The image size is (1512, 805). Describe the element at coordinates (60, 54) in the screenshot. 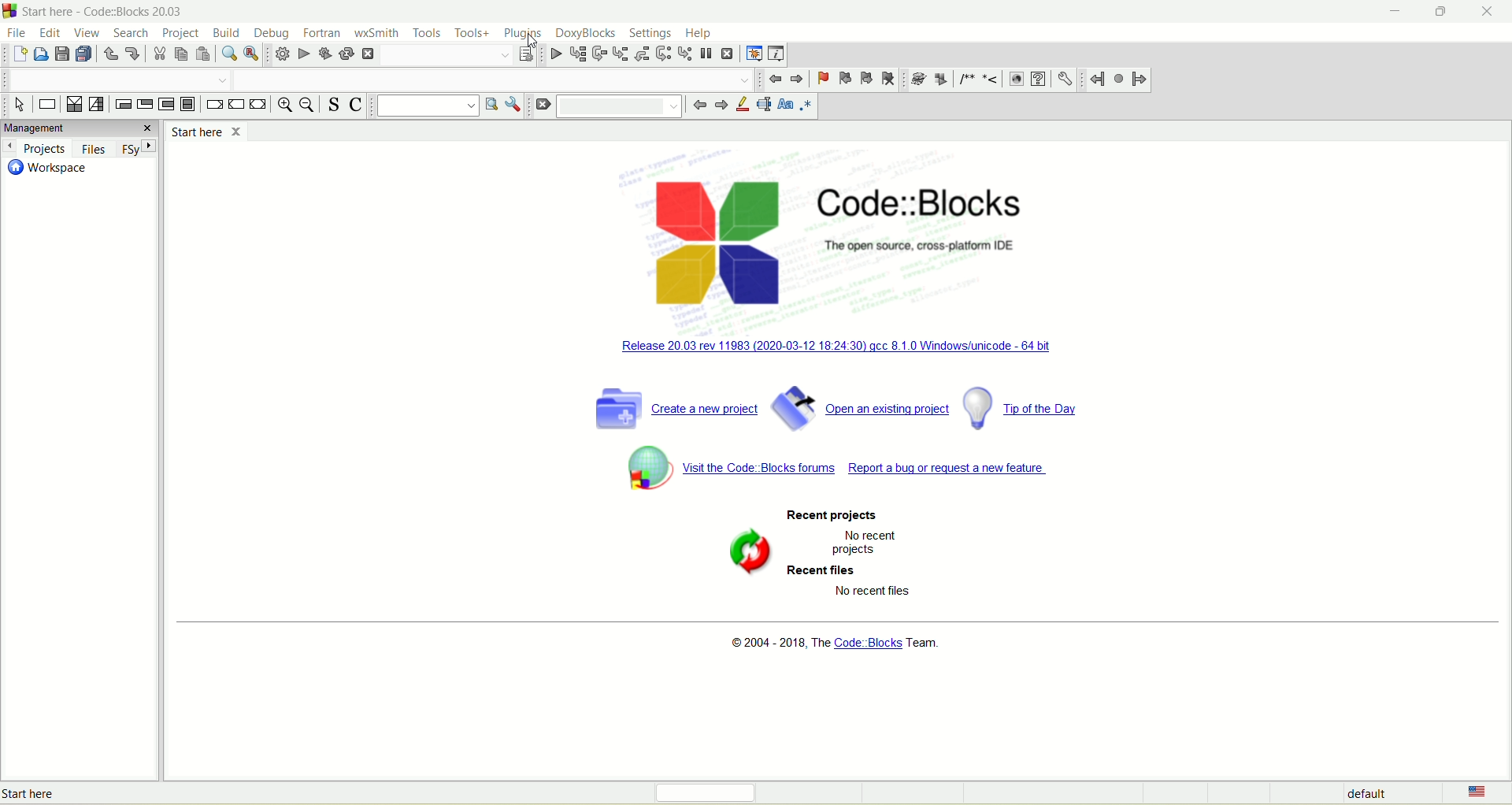

I see `save` at that location.